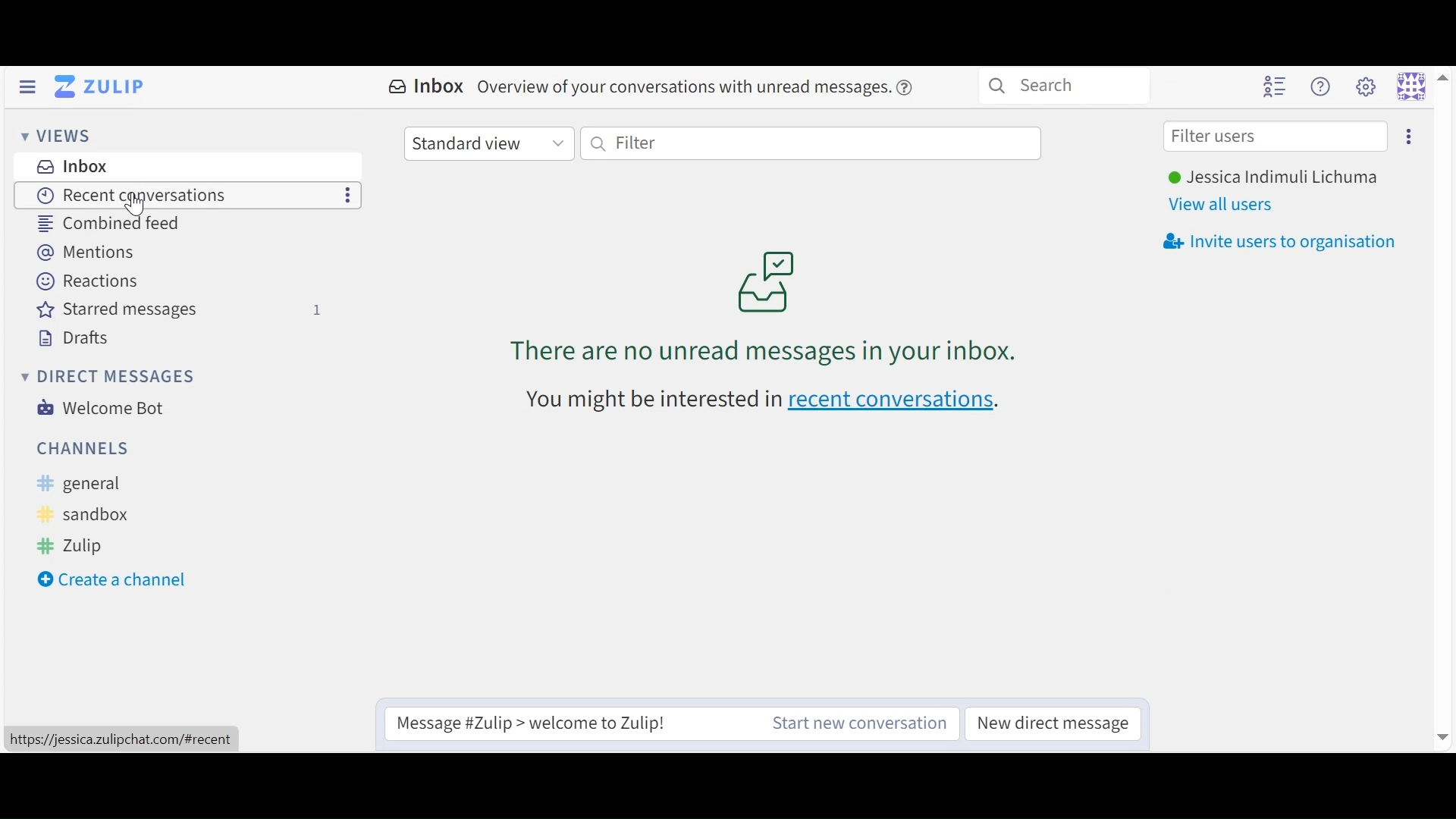  Describe the element at coordinates (895, 403) in the screenshot. I see `recent conversations ` at that location.